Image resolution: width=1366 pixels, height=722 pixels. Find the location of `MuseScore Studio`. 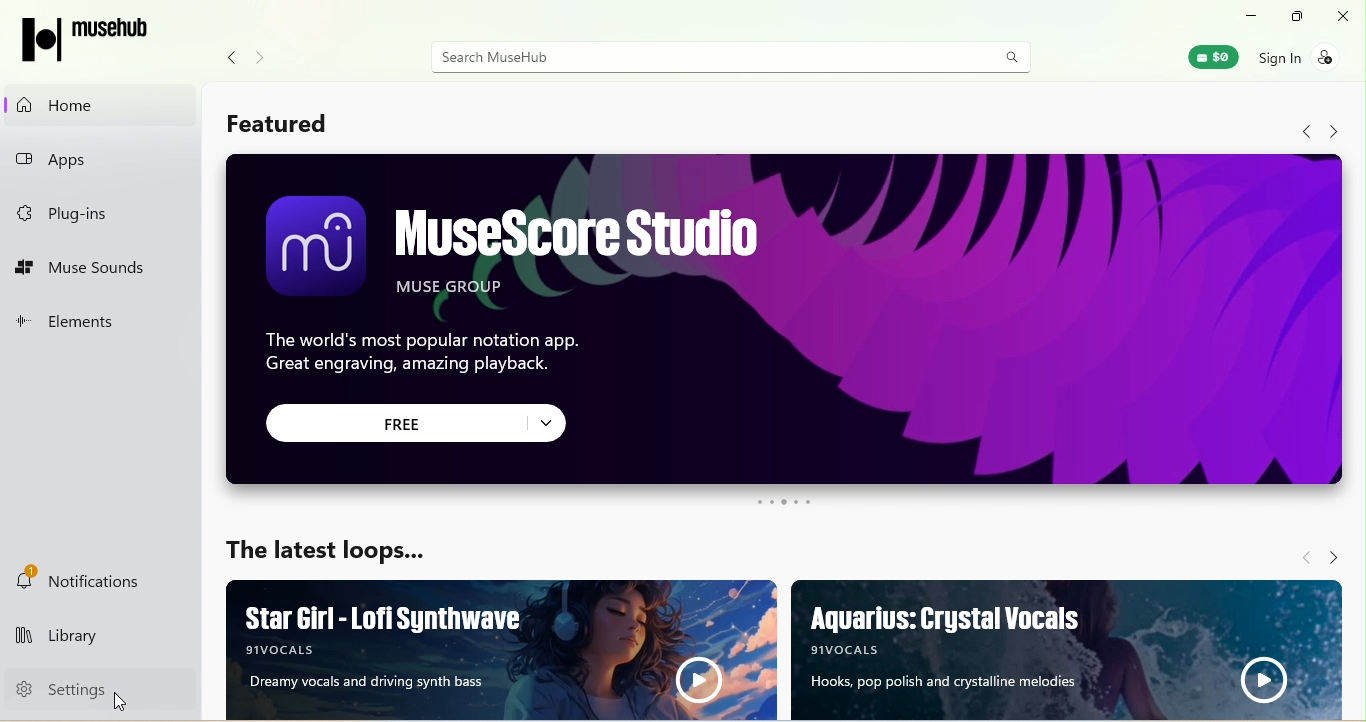

MuseScore Studio is located at coordinates (576, 233).